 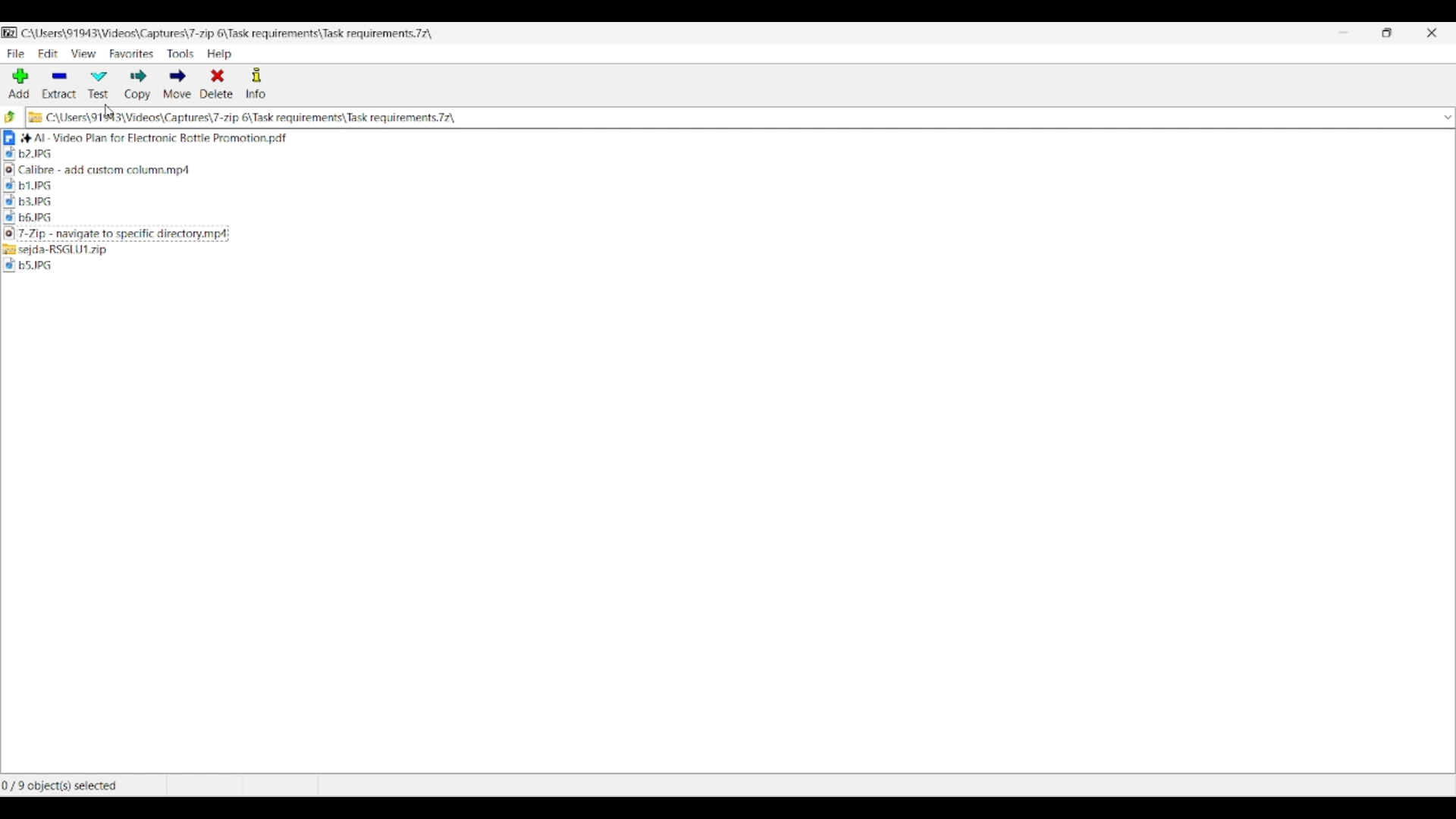 I want to click on file 2 and type, so click(x=416, y=155).